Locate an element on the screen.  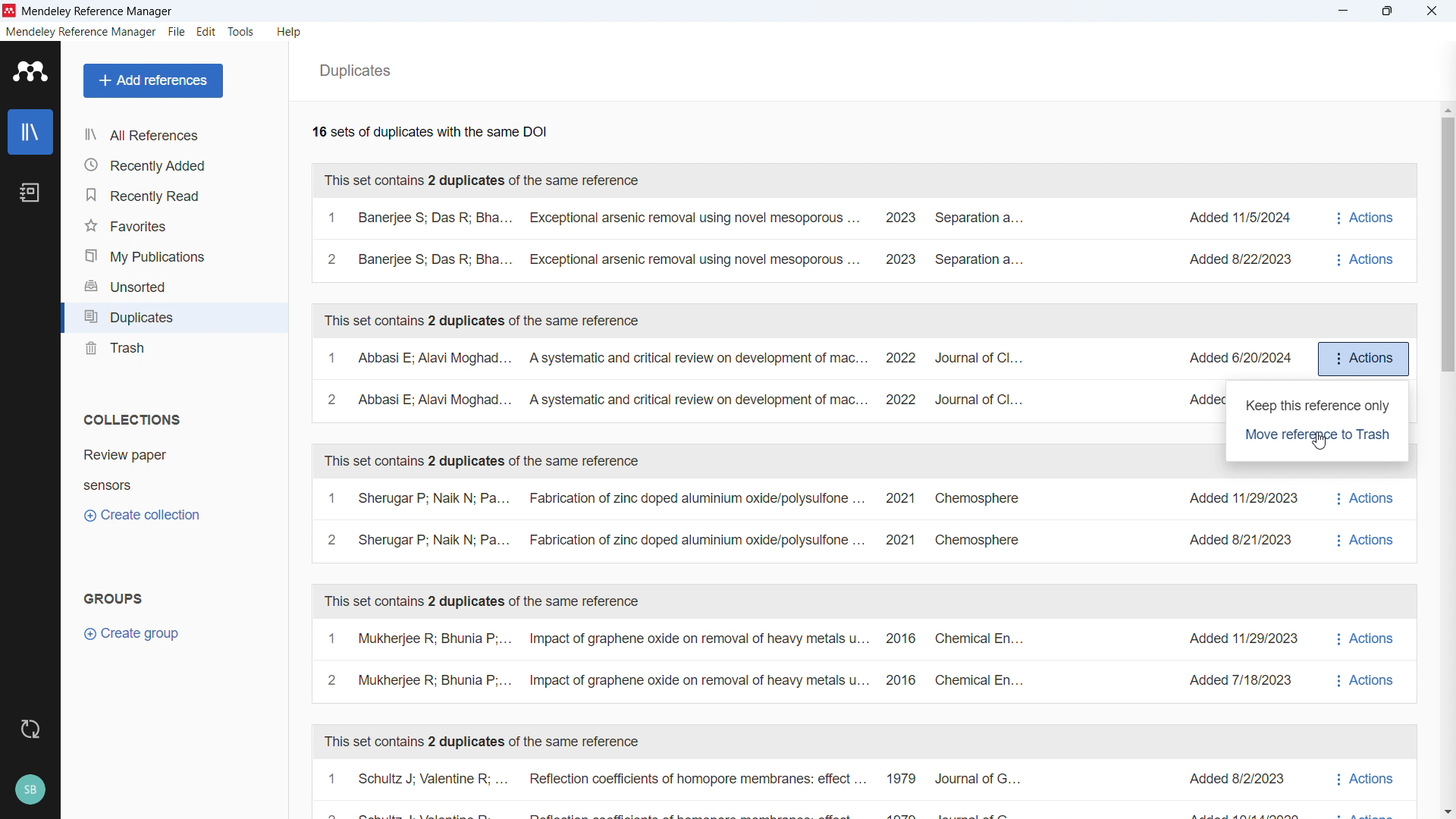
Number of available duplicates  is located at coordinates (430, 133).